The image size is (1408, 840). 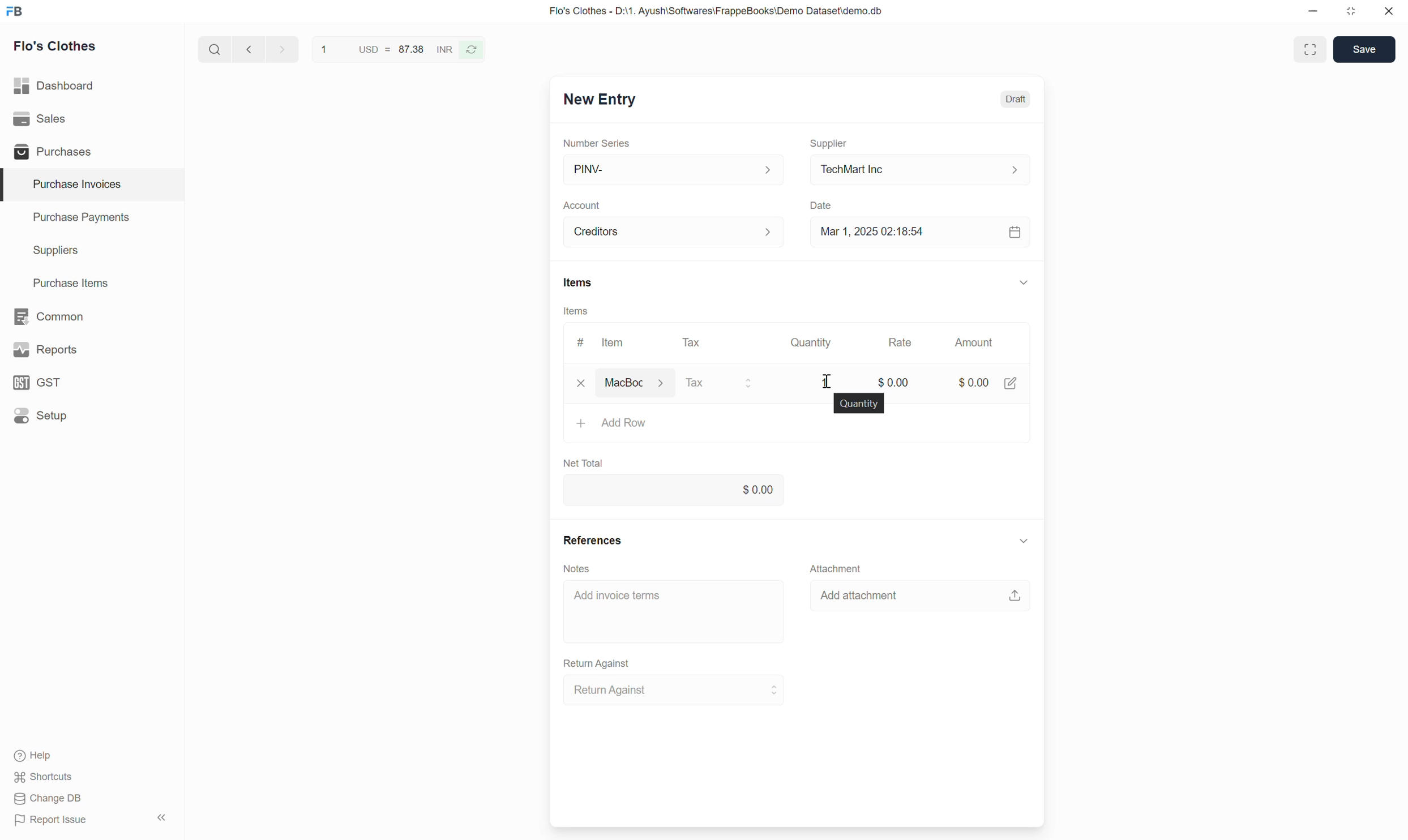 I want to click on 1 USD = 87.38 INR, so click(x=385, y=49).